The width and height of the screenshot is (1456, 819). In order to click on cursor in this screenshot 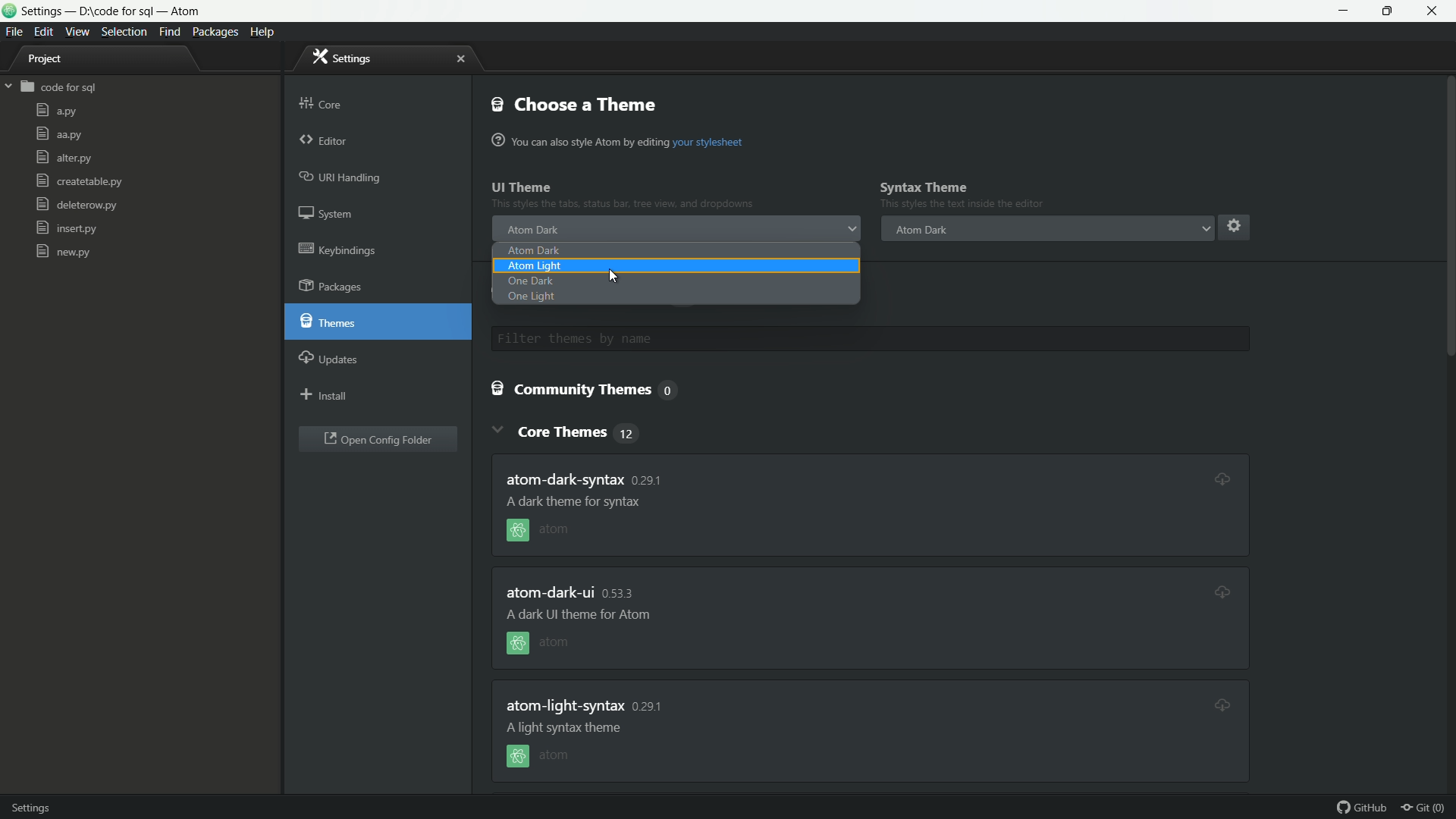, I will do `click(613, 278)`.